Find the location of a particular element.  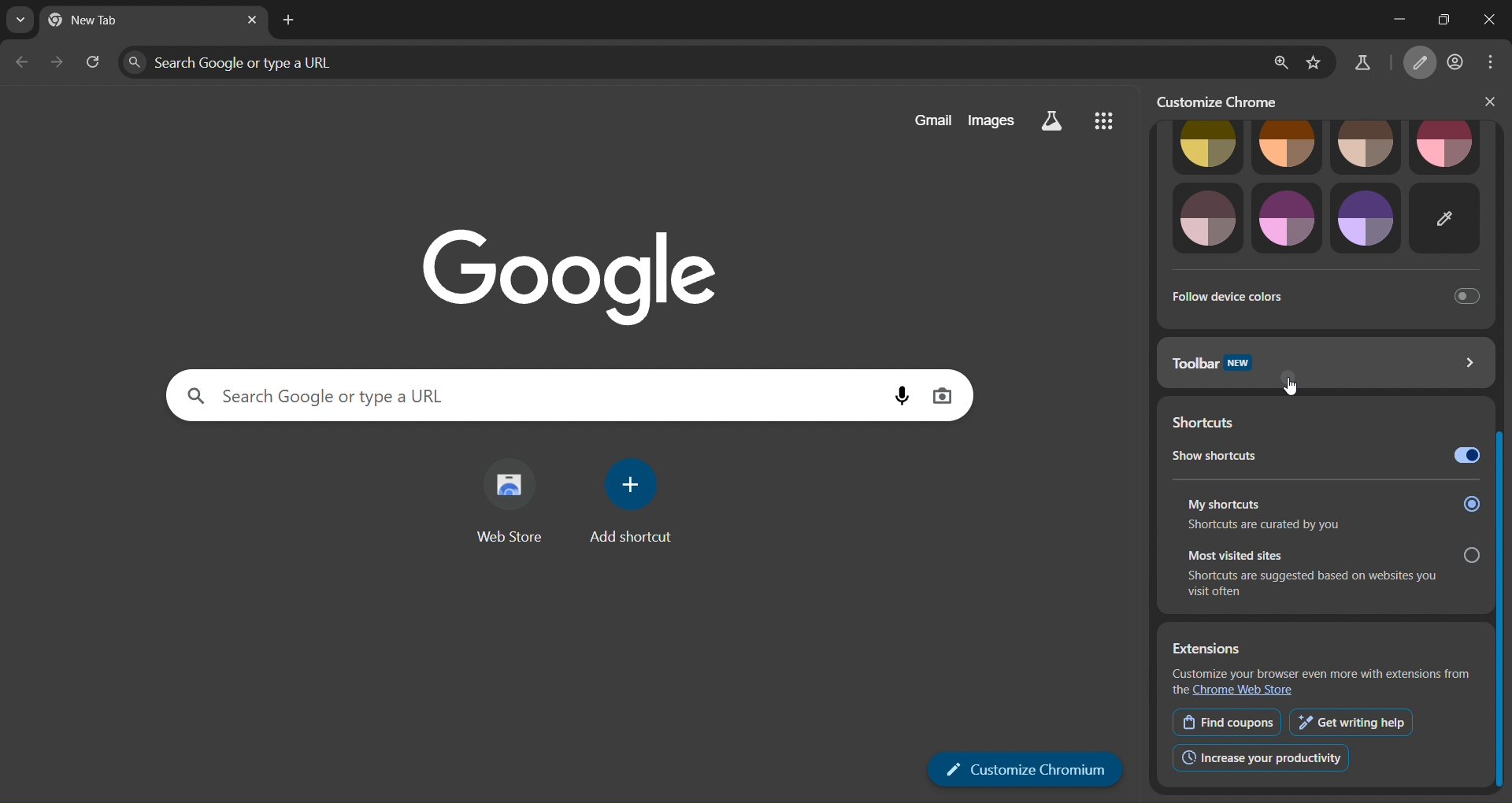

theme is located at coordinates (1207, 146).